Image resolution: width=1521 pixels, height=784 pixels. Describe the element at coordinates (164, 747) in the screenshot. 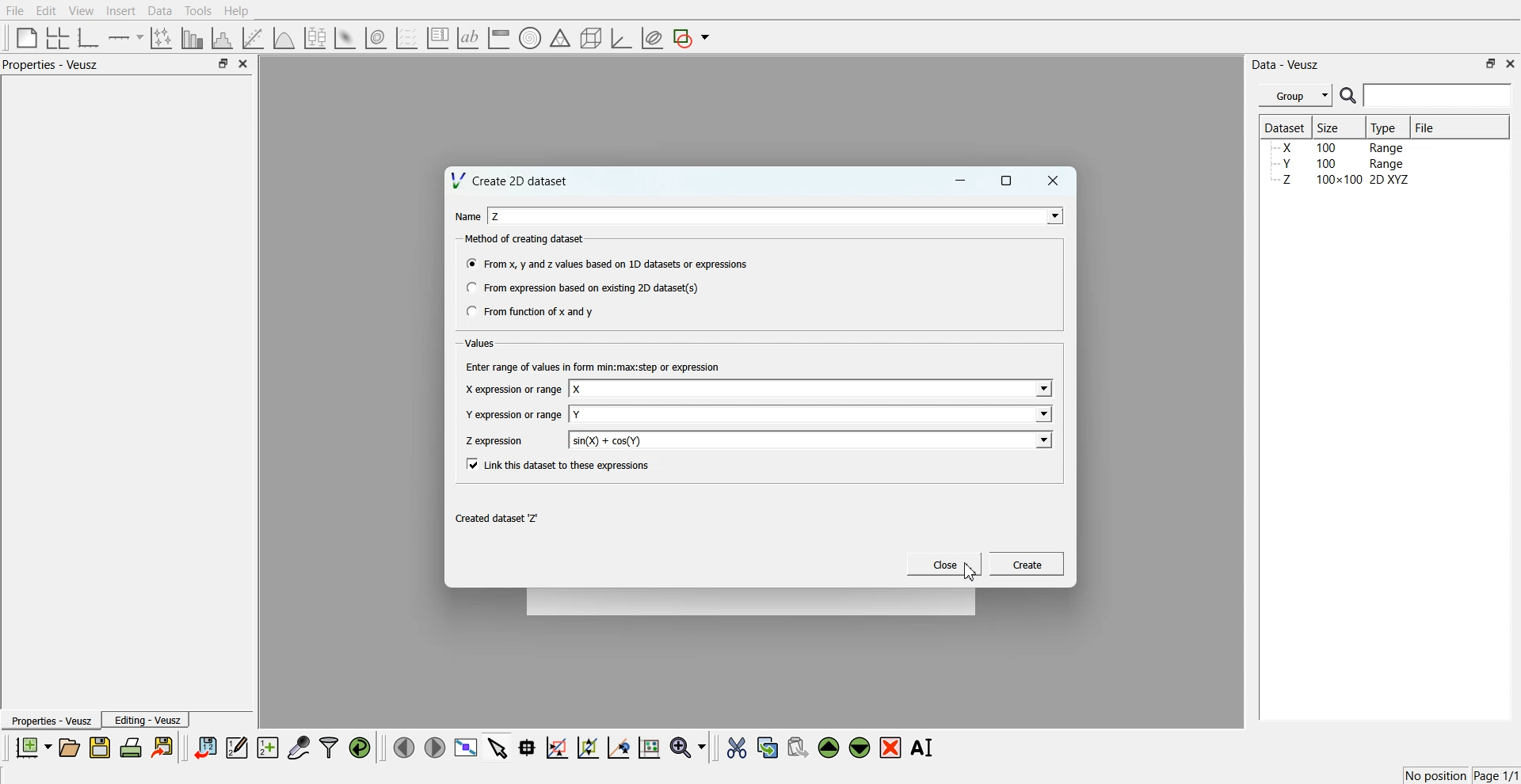

I see `Export to graphic format` at that location.